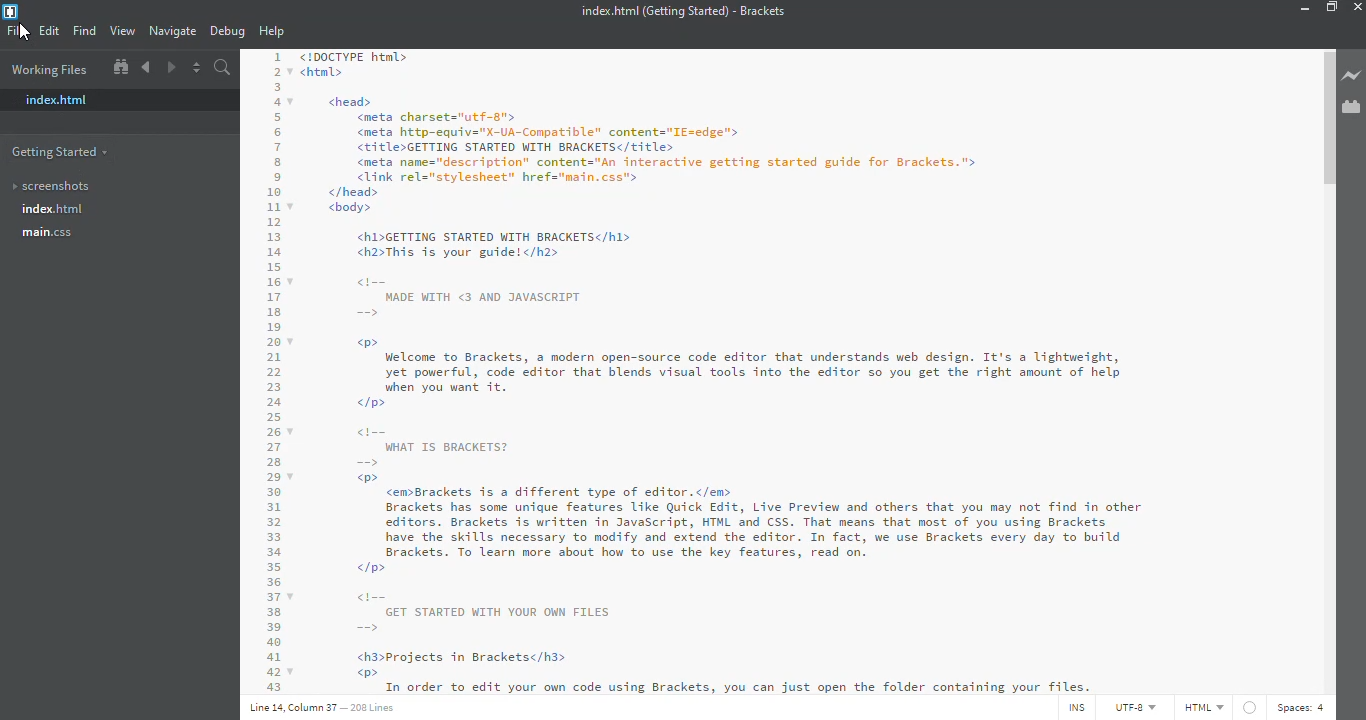  What do you see at coordinates (1251, 708) in the screenshot?
I see `no linter available` at bounding box center [1251, 708].